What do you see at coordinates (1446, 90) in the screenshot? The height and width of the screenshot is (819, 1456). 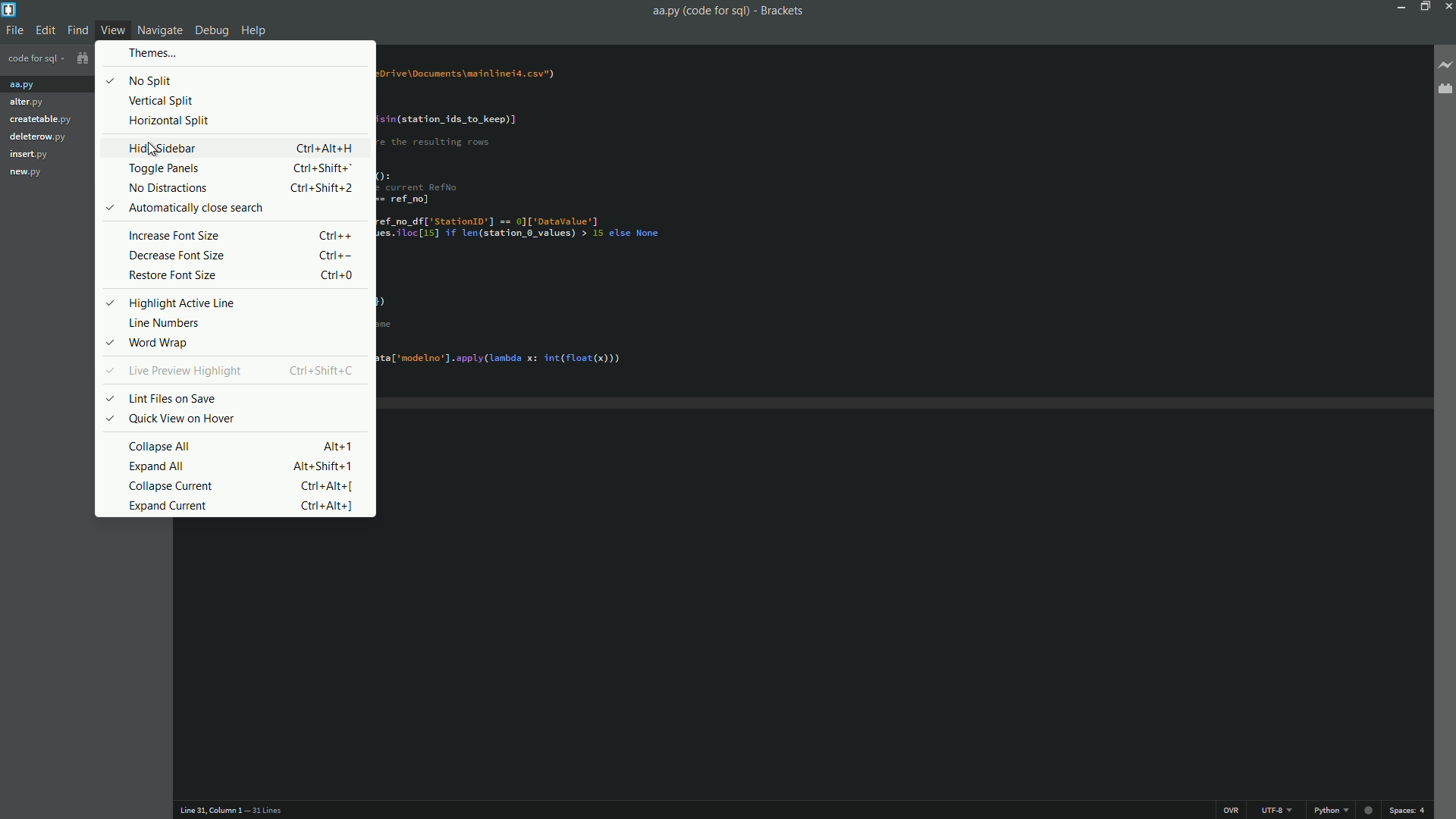 I see `extension manager button` at bounding box center [1446, 90].